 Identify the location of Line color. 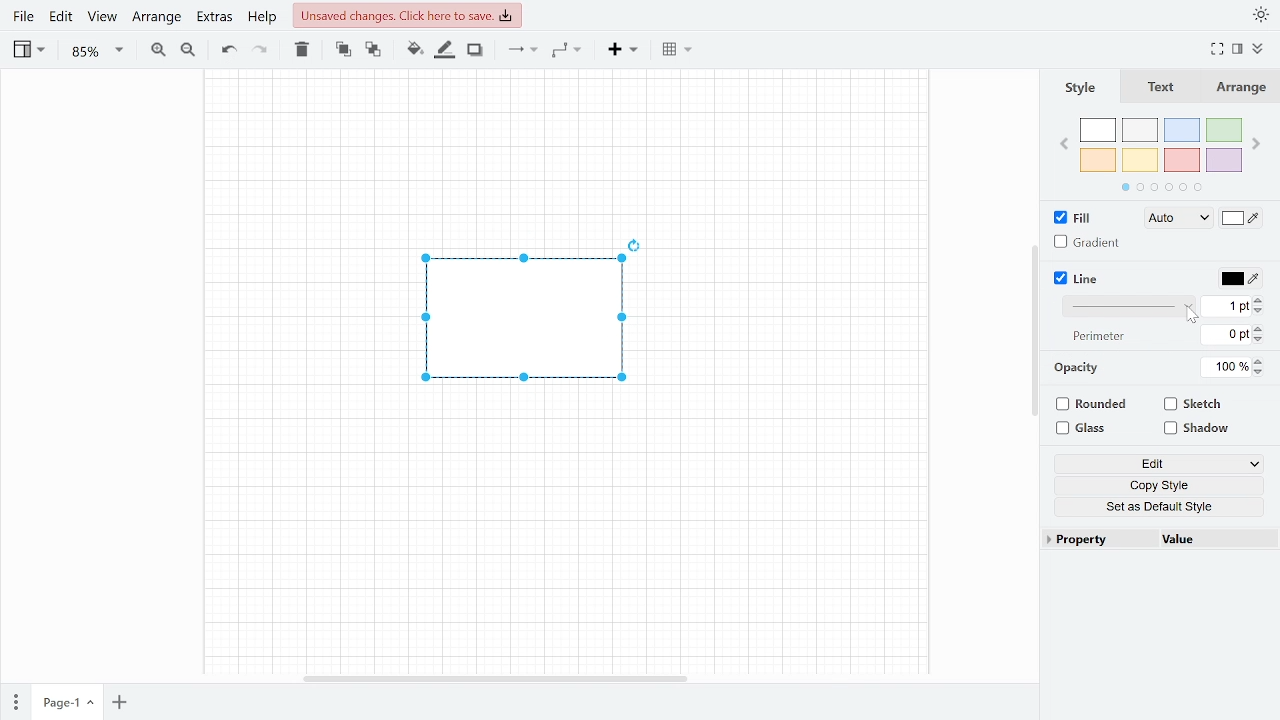
(1241, 278).